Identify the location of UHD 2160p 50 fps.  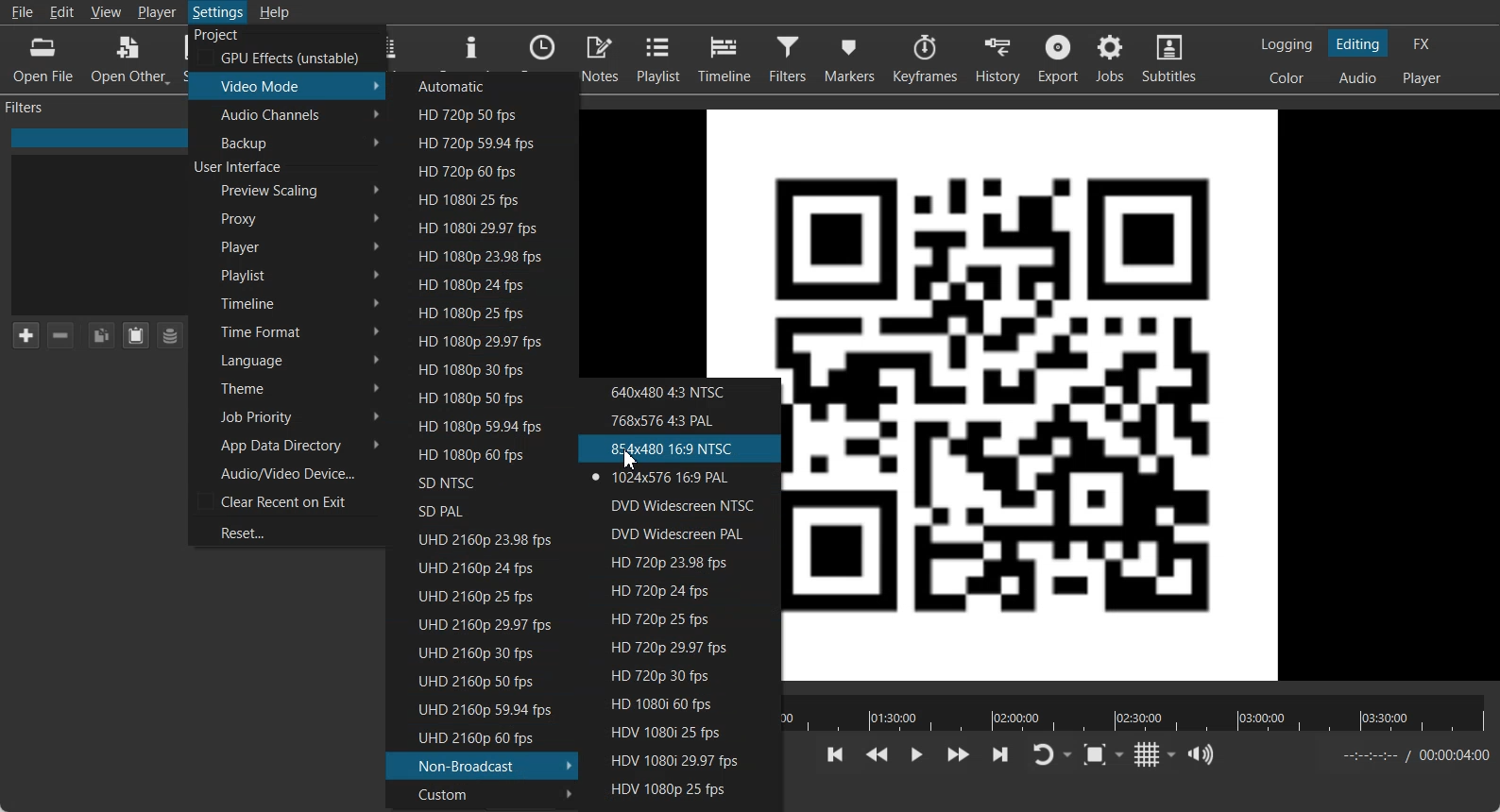
(473, 680).